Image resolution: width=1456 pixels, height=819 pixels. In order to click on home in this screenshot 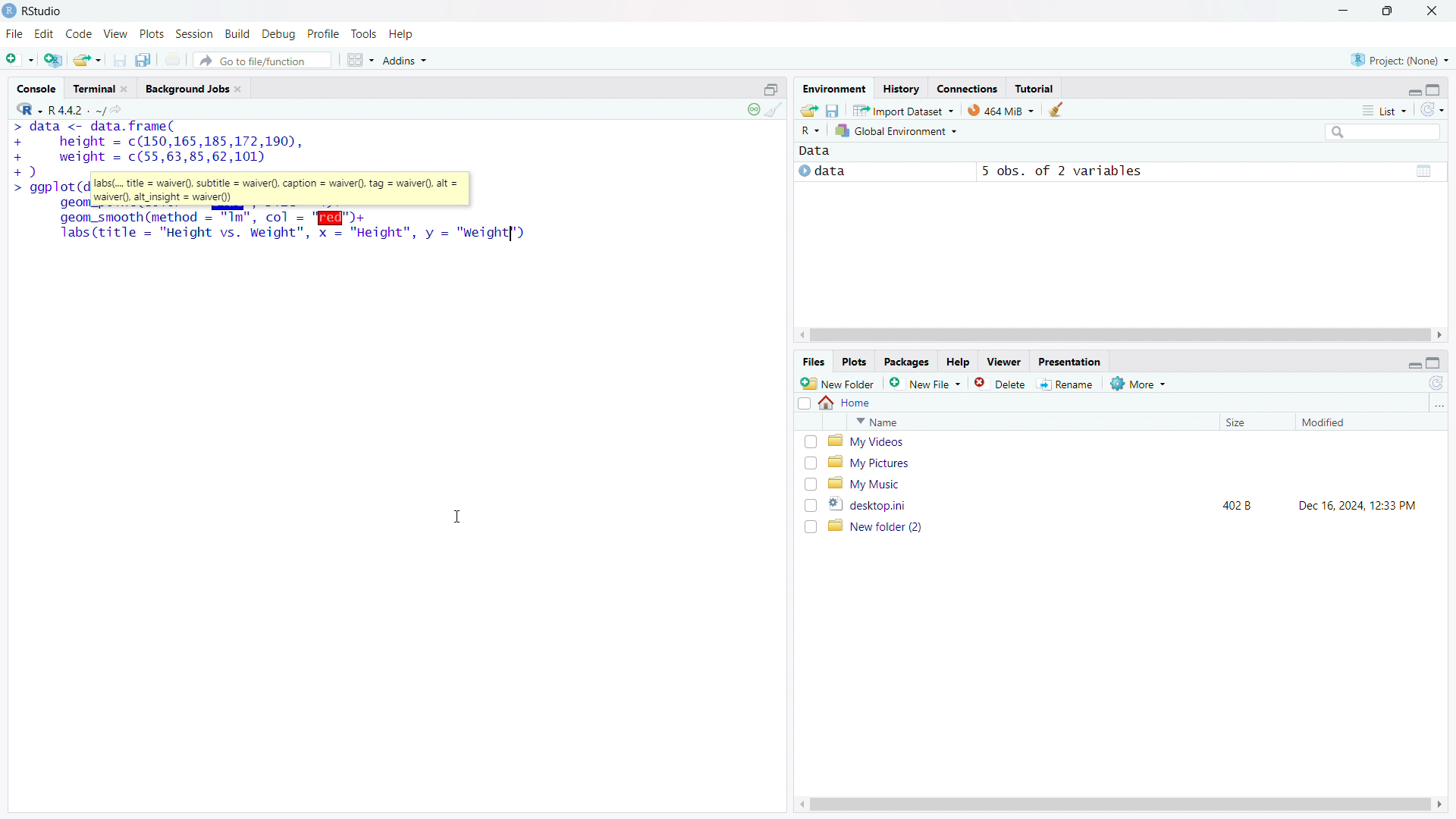, I will do `click(846, 403)`.